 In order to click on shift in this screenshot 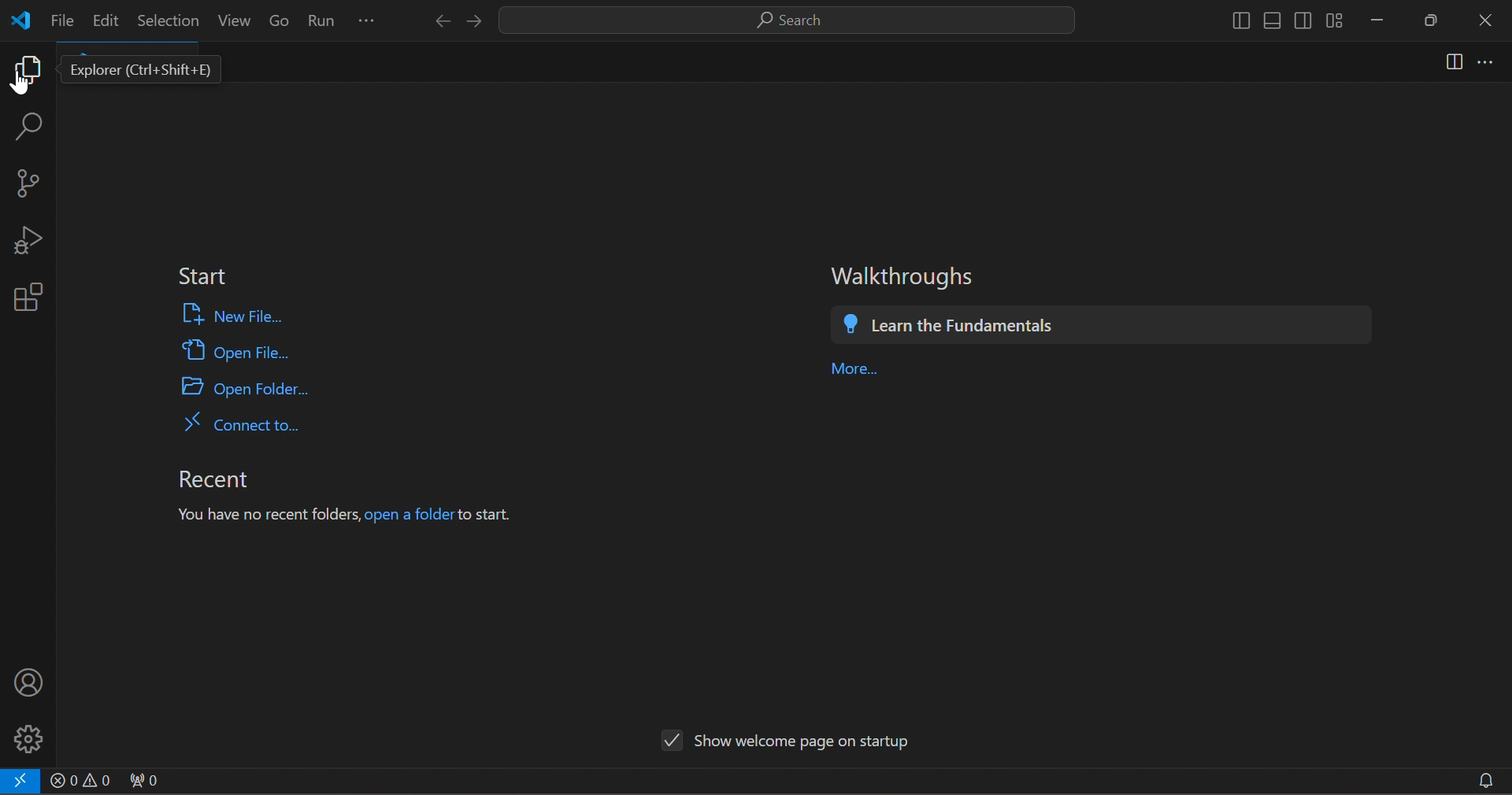, I will do `click(1284, 22)`.